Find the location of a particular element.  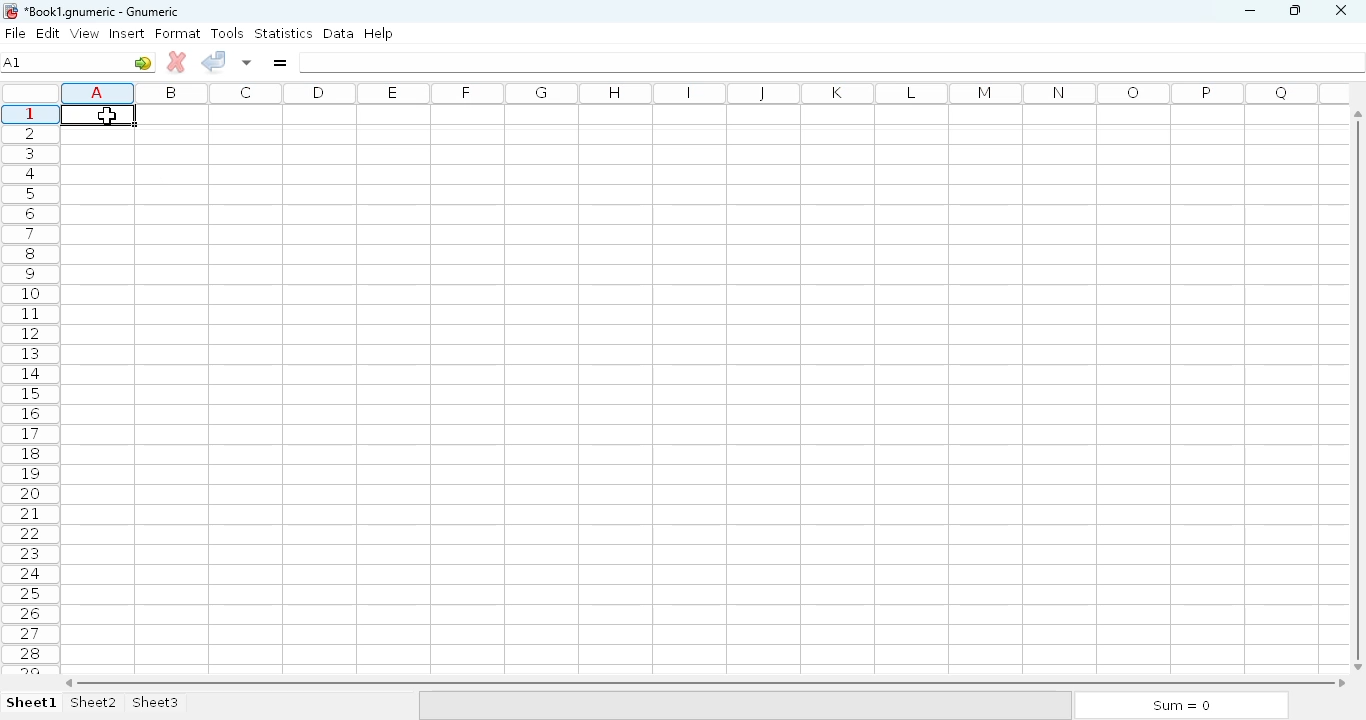

rows is located at coordinates (31, 388).